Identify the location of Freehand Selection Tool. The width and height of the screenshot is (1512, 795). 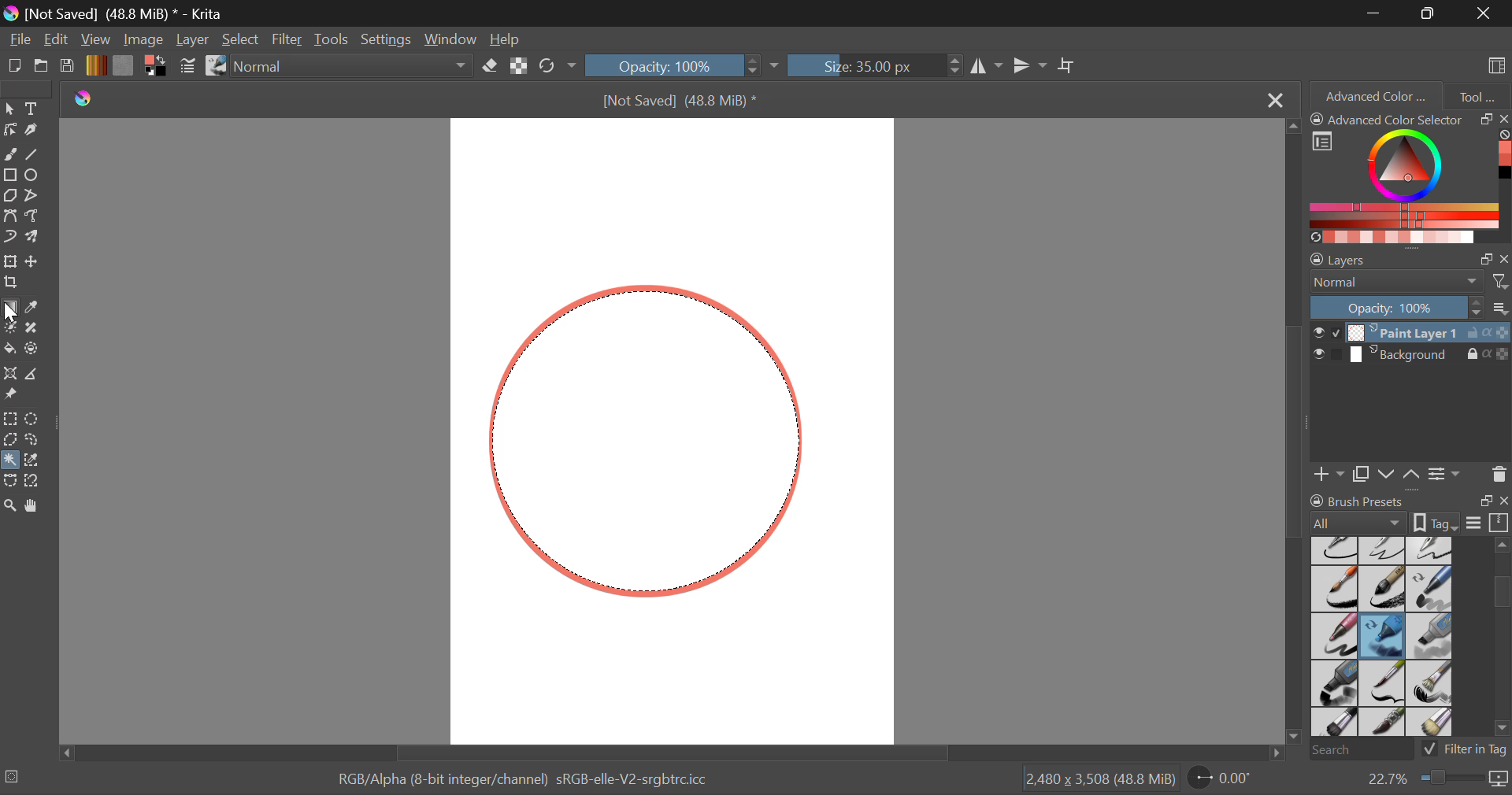
(34, 439).